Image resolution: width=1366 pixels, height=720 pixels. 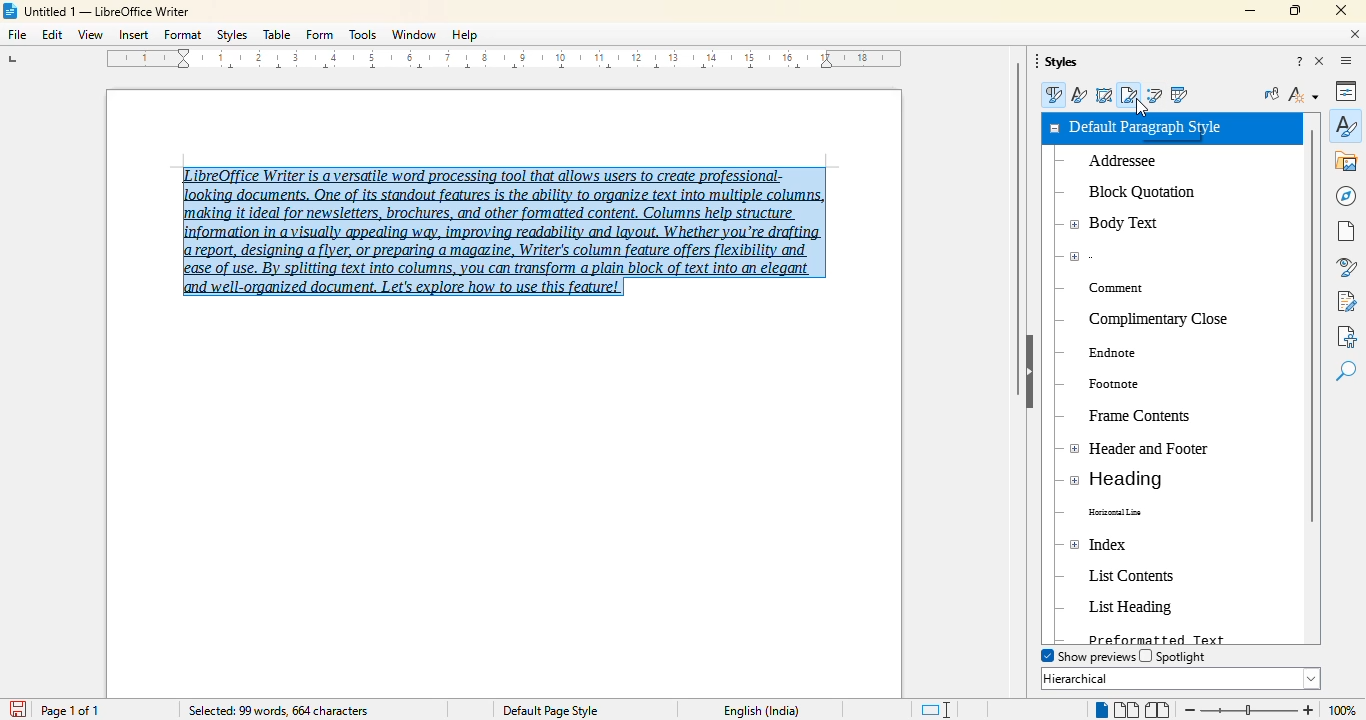 I want to click on table styles, so click(x=1178, y=94).